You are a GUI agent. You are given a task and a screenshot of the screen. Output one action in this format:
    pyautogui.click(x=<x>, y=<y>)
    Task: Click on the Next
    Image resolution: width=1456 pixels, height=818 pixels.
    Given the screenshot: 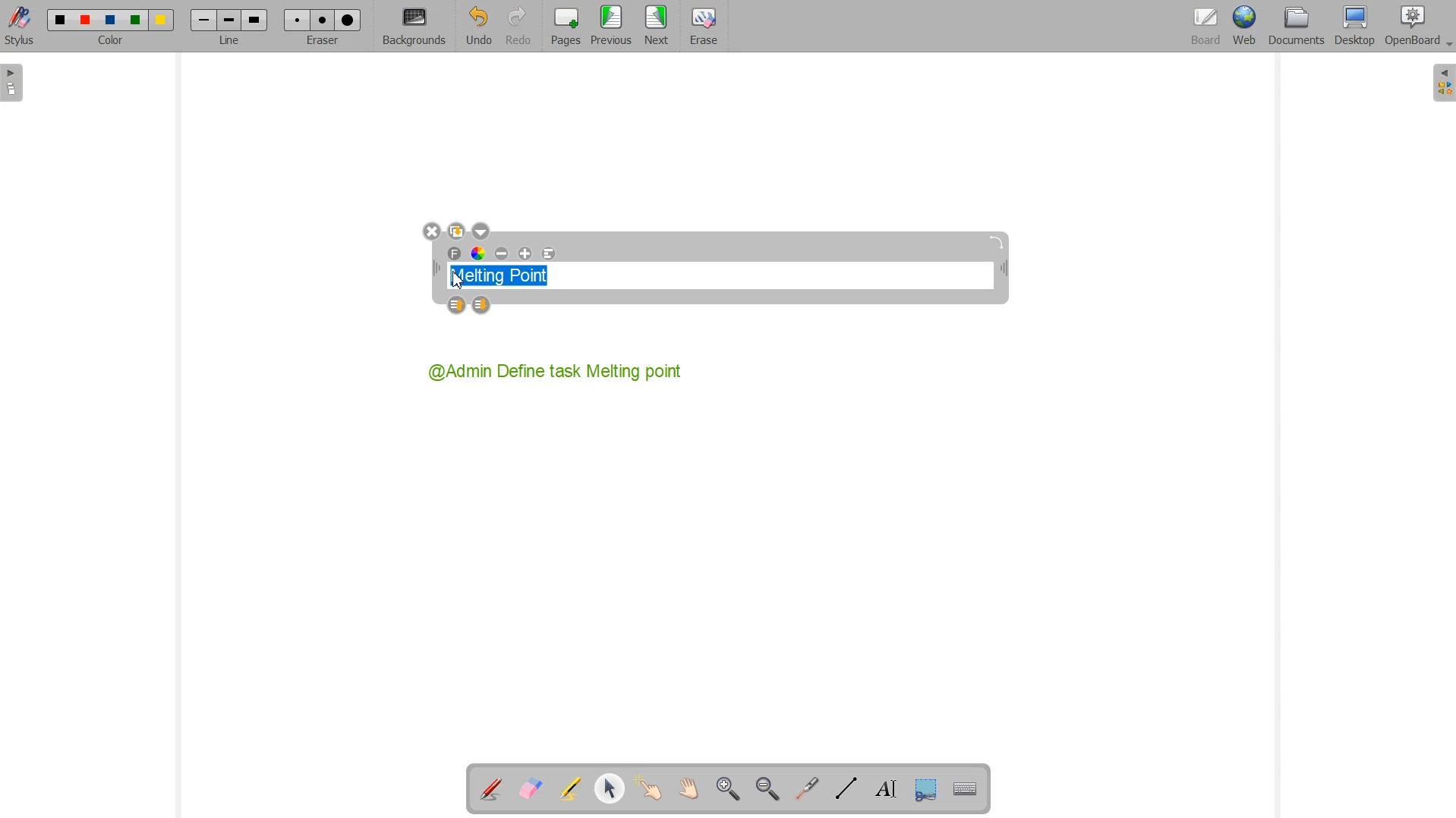 What is the action you would take?
    pyautogui.click(x=657, y=27)
    